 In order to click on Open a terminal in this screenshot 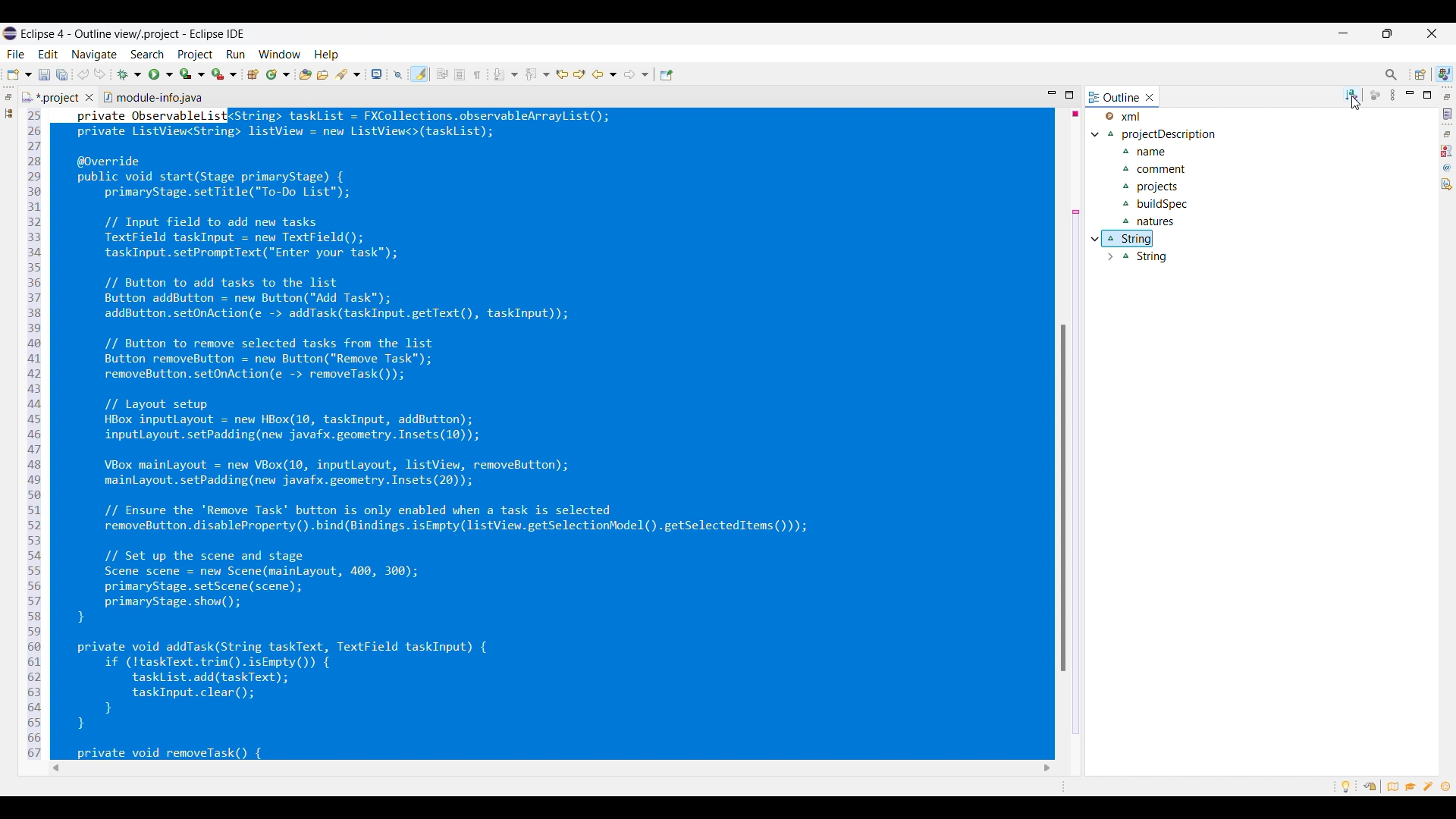, I will do `click(377, 74)`.